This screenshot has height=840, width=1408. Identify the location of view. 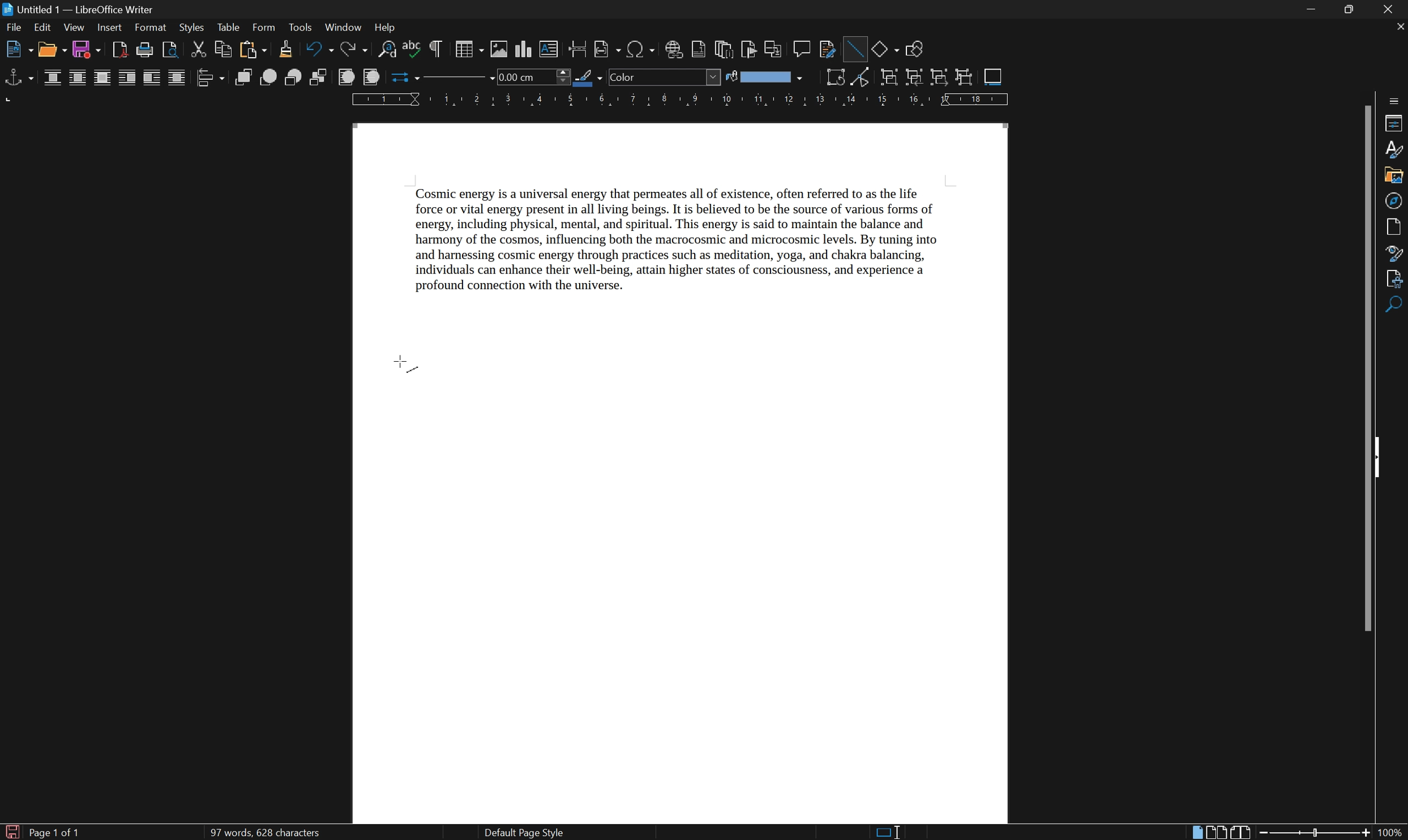
(74, 28).